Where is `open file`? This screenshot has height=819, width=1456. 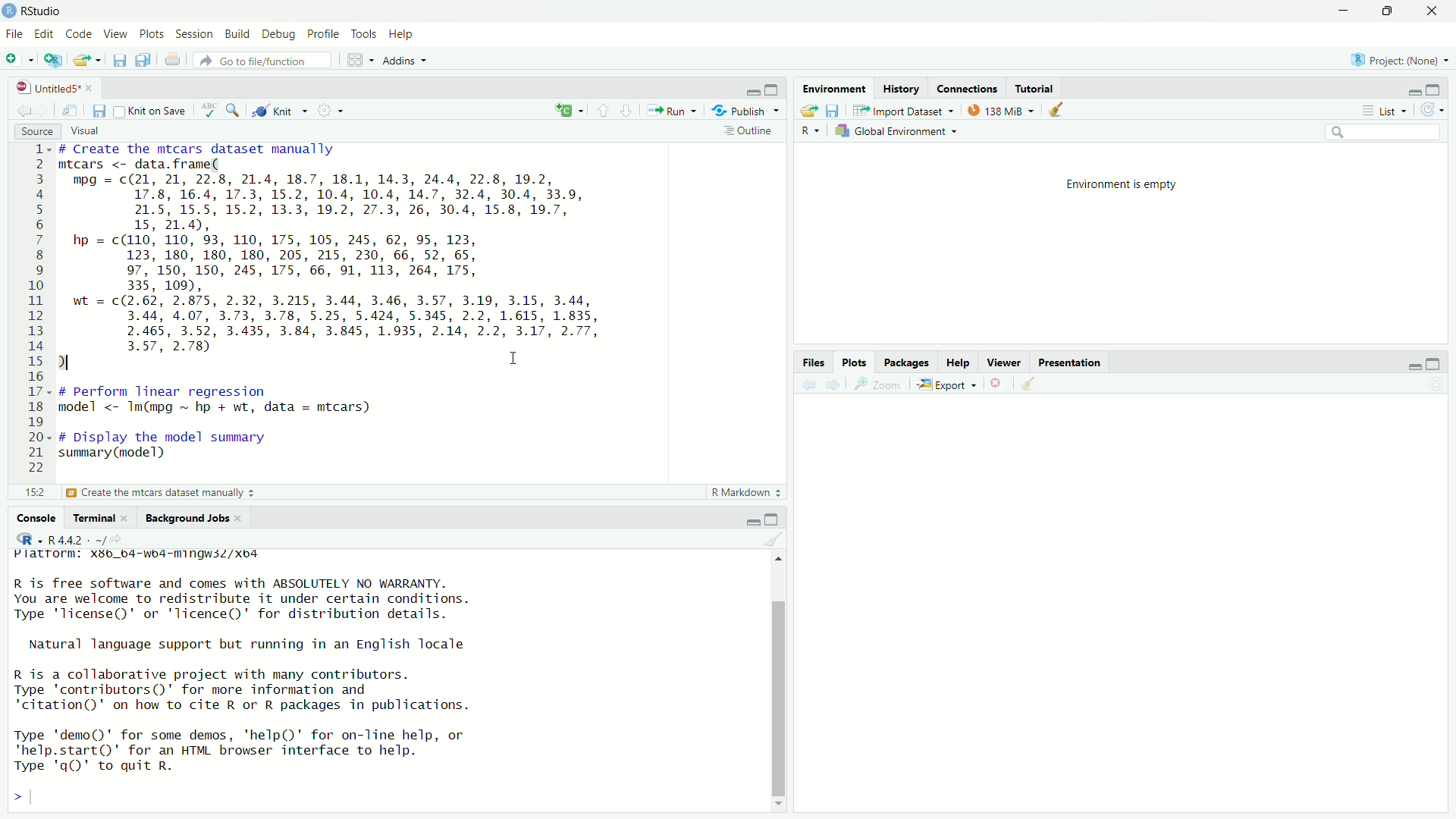
open file is located at coordinates (86, 60).